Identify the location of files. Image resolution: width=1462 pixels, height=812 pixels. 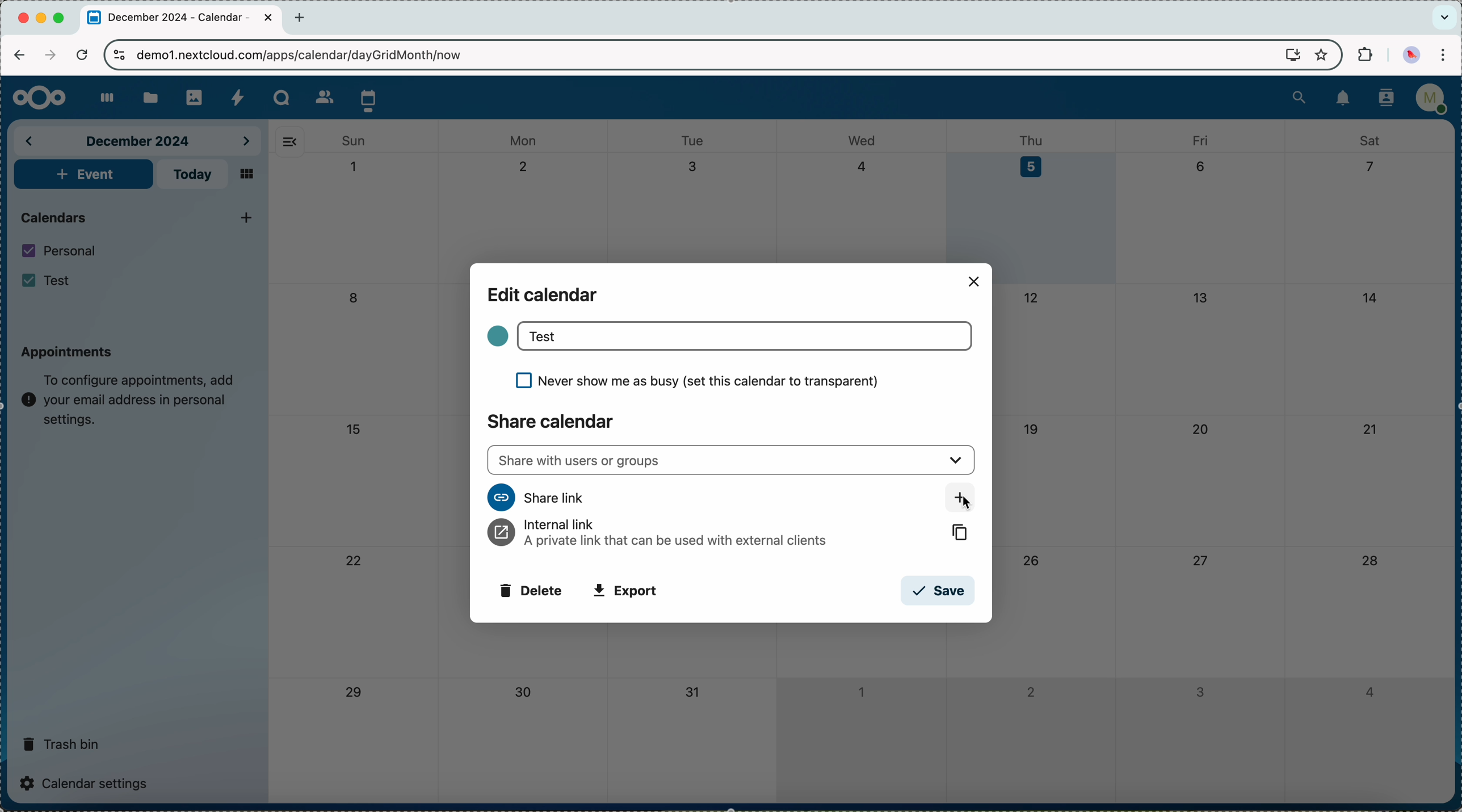
(149, 96).